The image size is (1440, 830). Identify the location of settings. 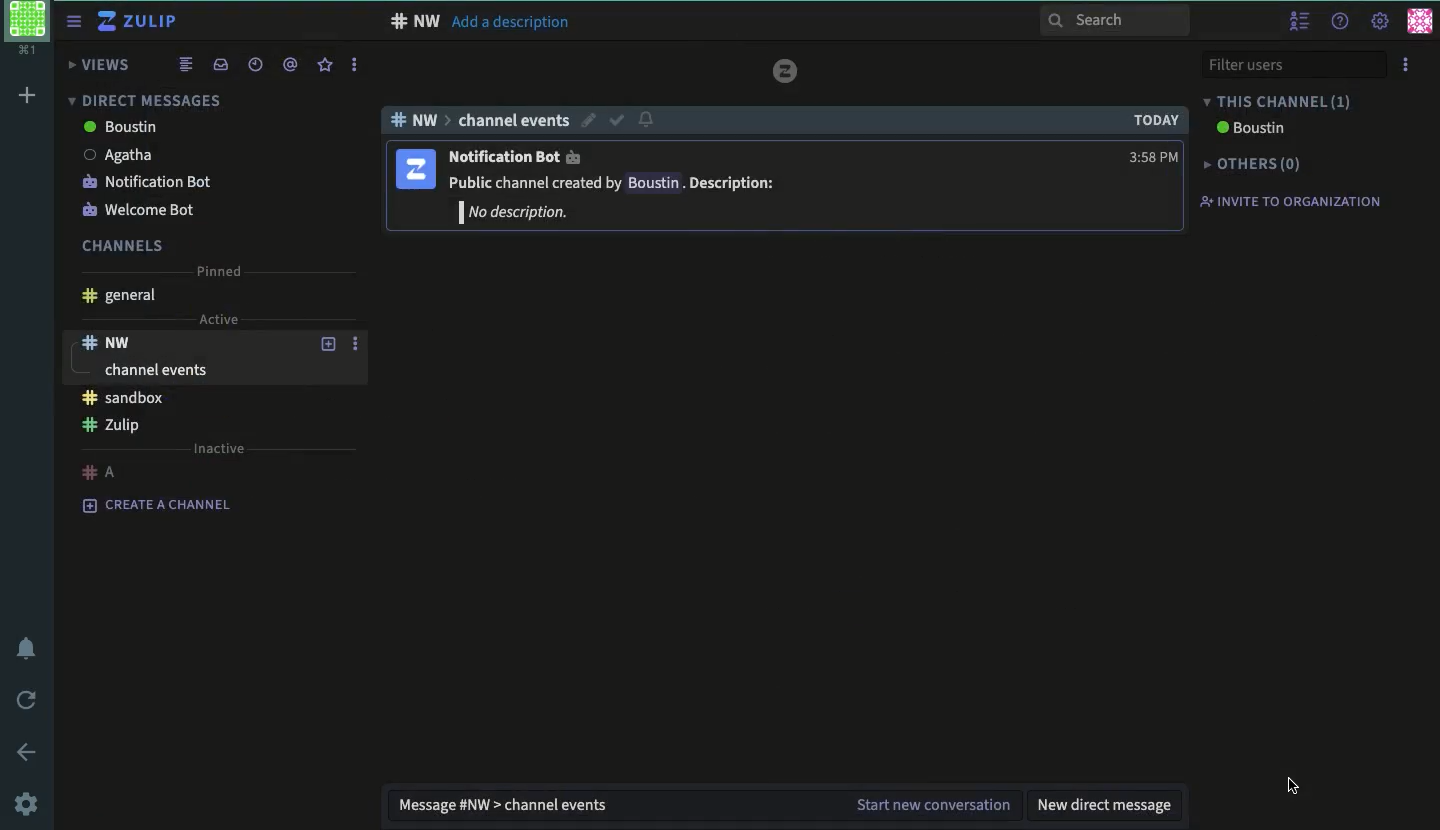
(27, 803).